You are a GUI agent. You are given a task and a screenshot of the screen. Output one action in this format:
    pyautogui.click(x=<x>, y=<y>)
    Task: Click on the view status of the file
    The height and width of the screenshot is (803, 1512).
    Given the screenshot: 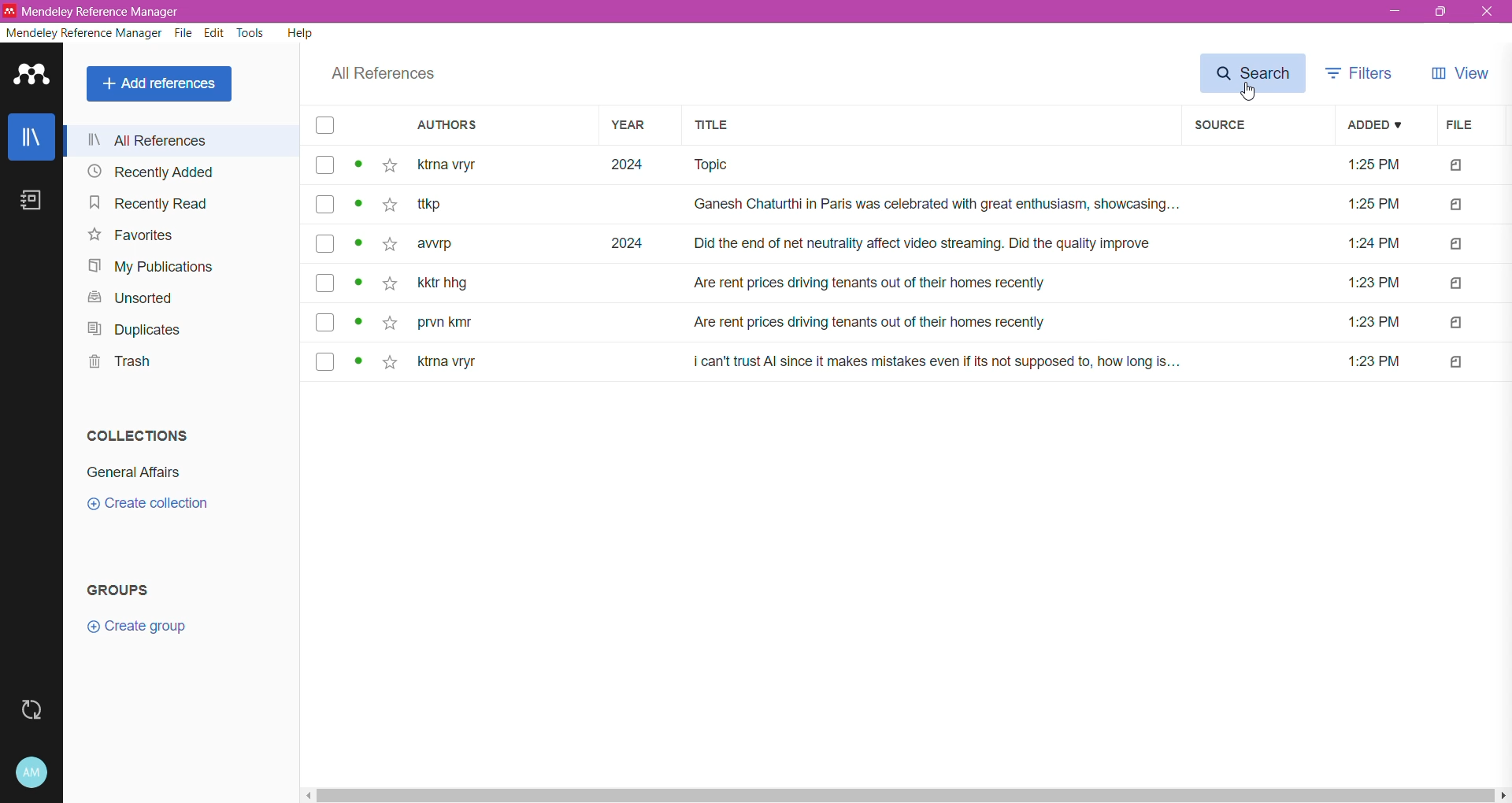 What is the action you would take?
    pyautogui.click(x=359, y=285)
    